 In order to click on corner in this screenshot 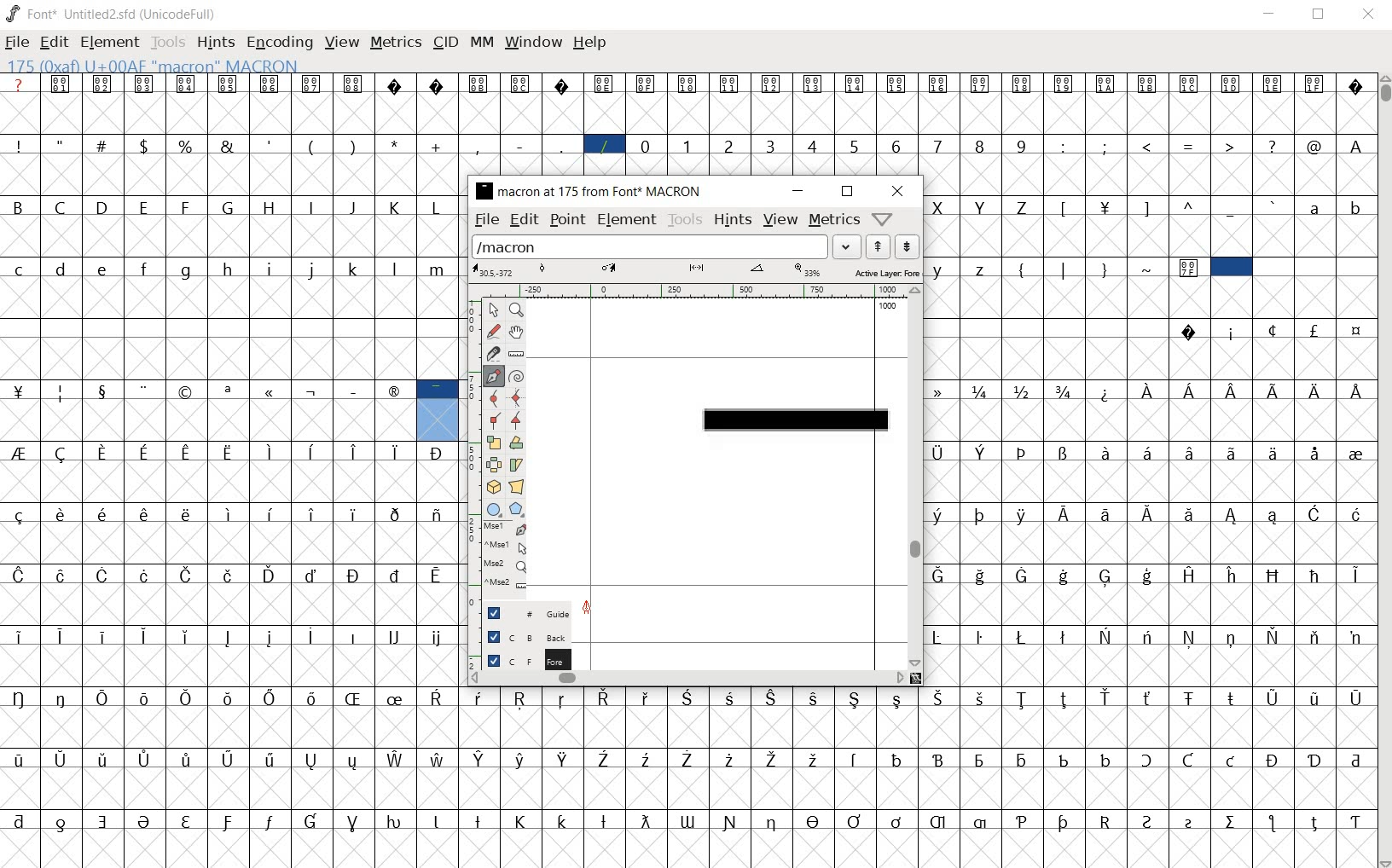, I will do `click(494, 421)`.